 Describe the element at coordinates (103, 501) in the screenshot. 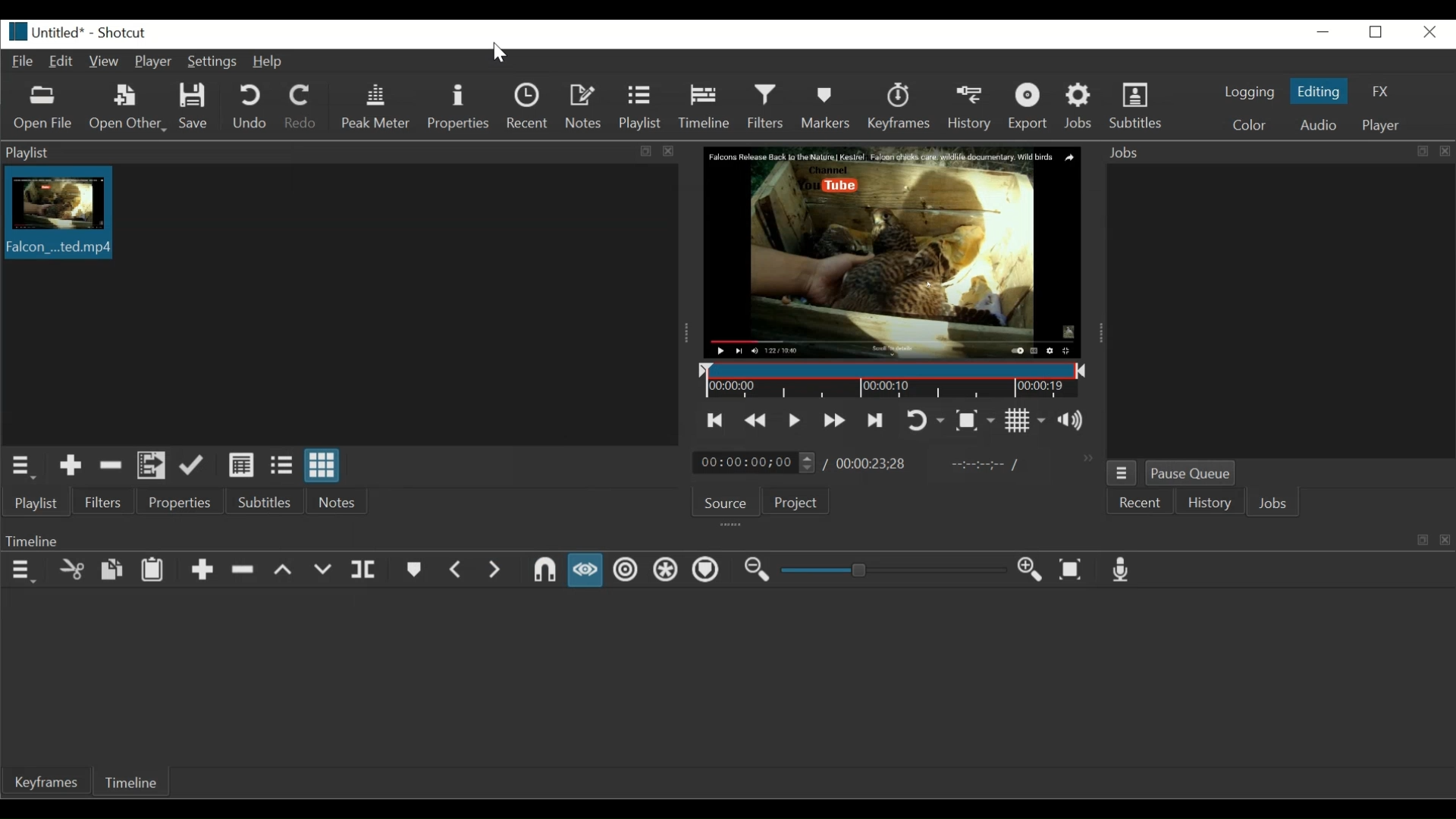

I see `Filters` at that location.